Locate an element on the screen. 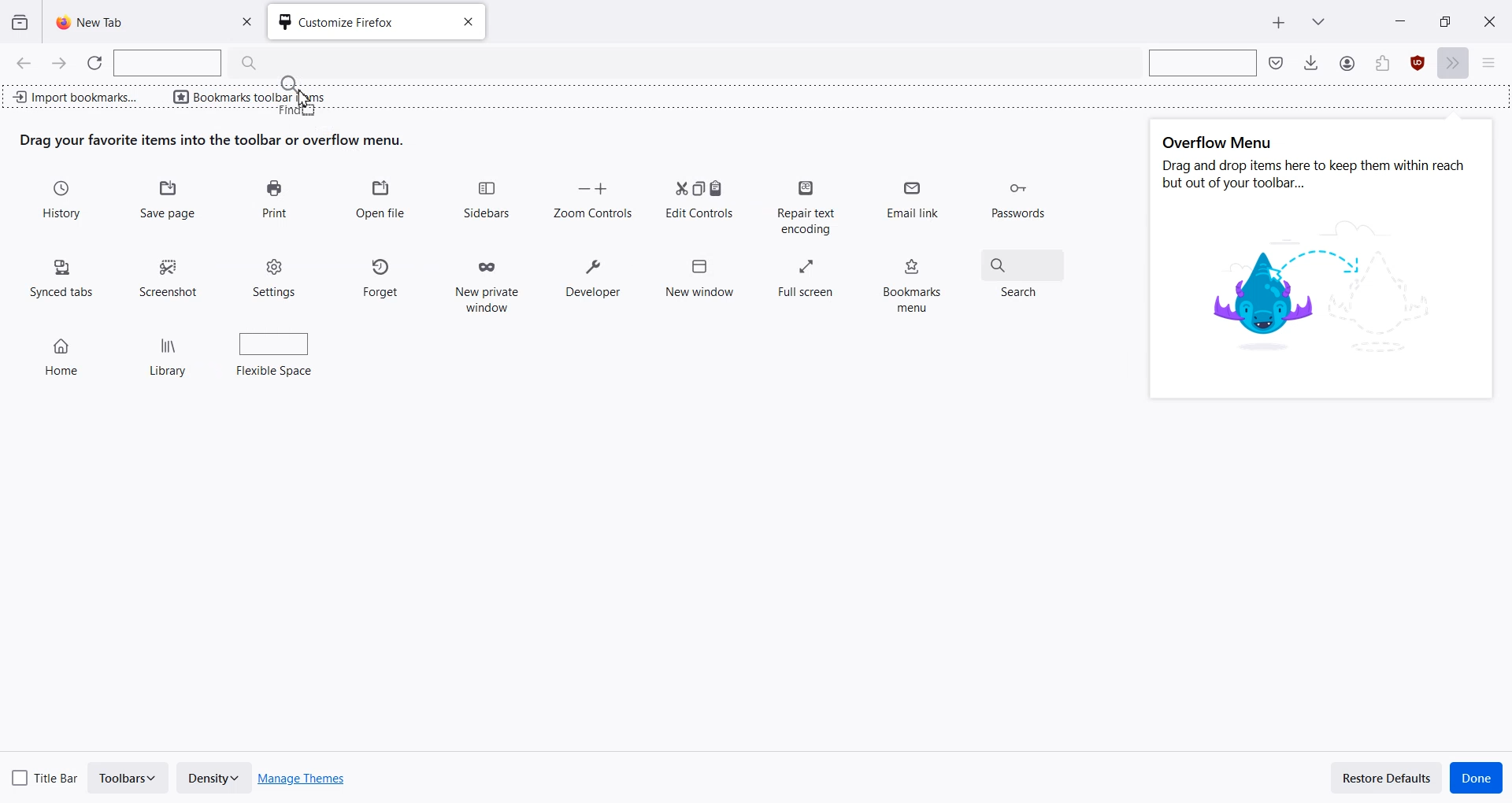  Close Tab is located at coordinates (251, 22).